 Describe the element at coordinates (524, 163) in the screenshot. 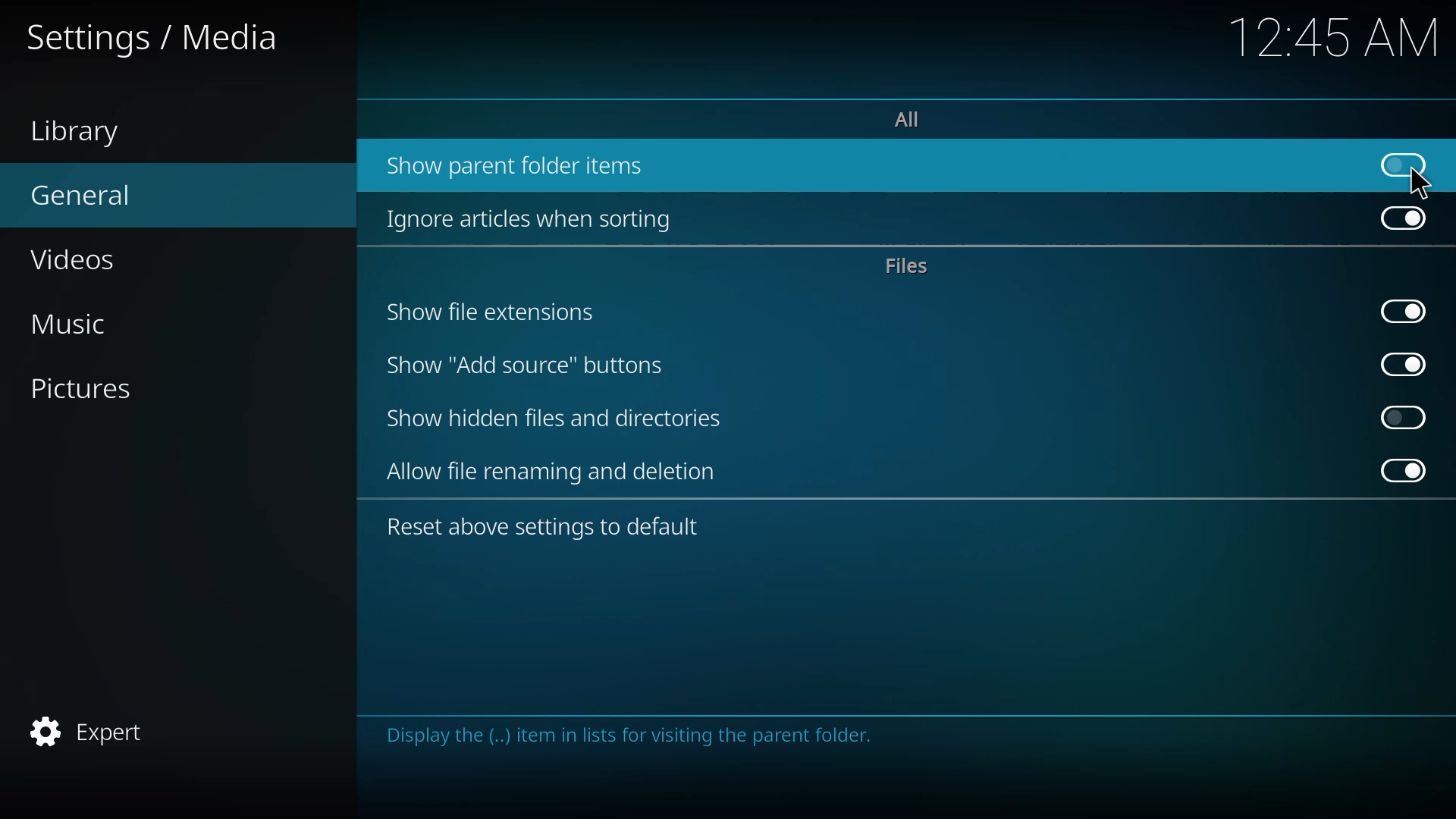

I see `show parent folder items` at that location.